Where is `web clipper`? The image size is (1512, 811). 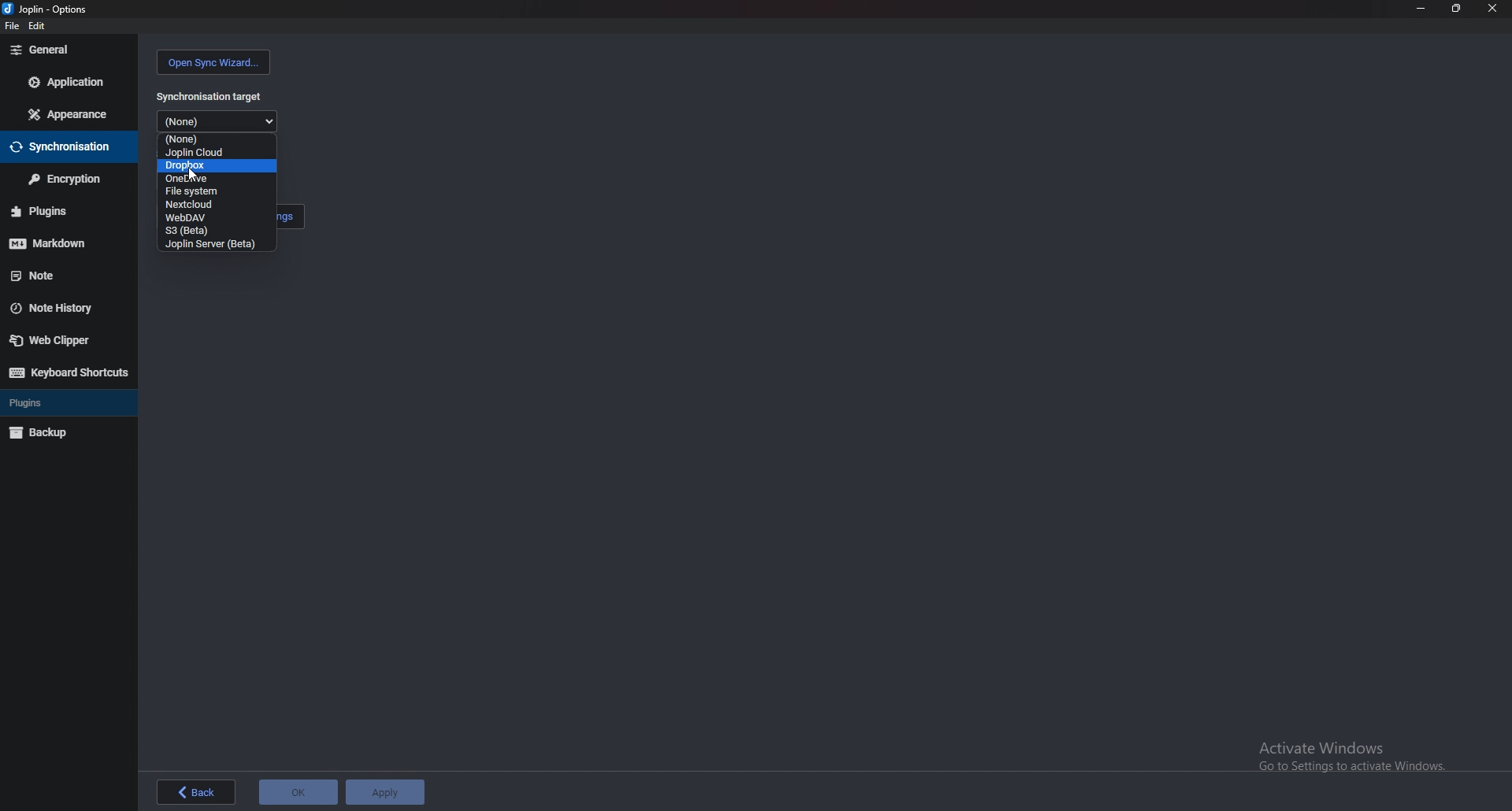
web clipper is located at coordinates (59, 341).